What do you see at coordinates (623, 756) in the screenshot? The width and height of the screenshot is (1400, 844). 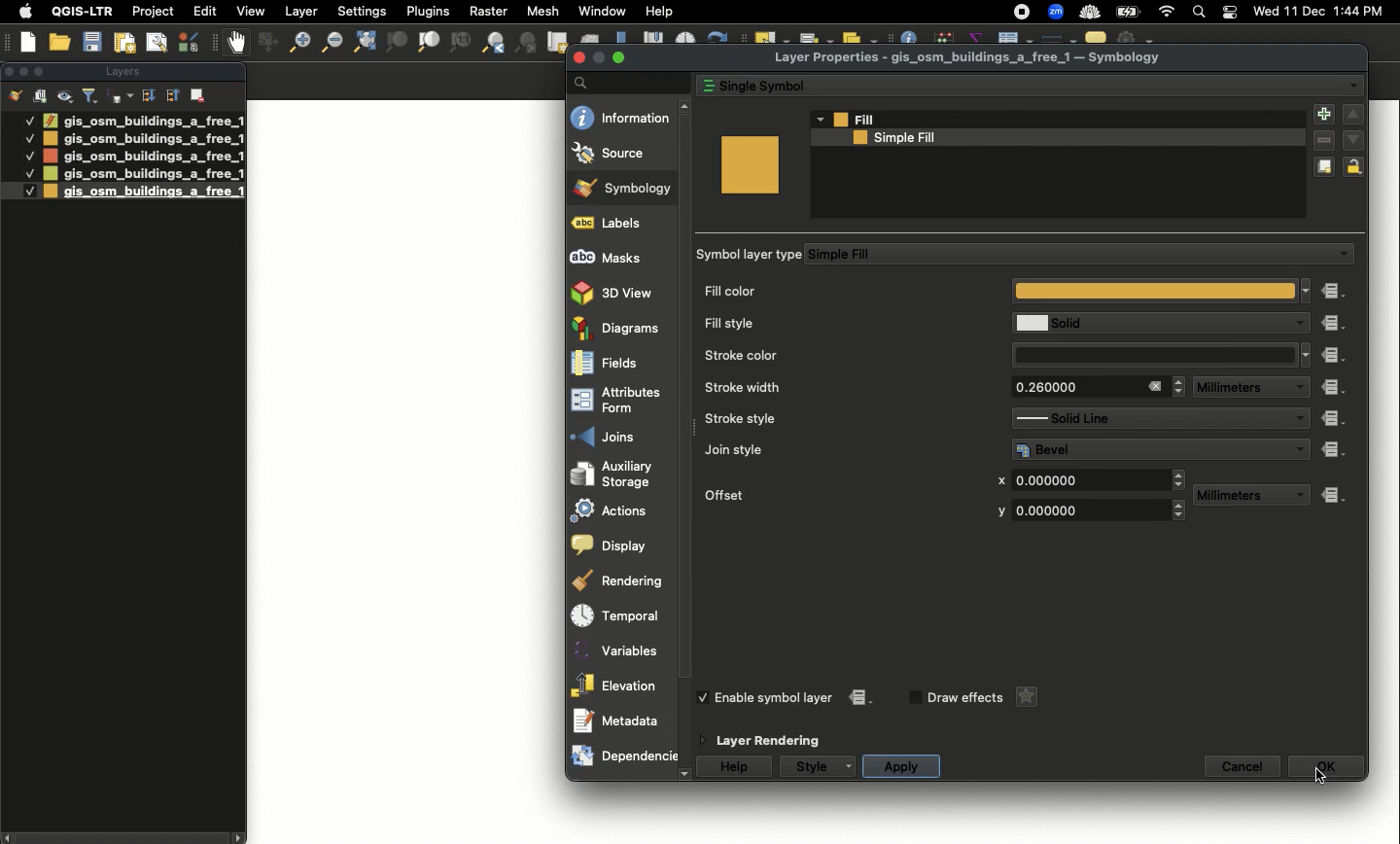 I see `Dependencies ` at bounding box center [623, 756].